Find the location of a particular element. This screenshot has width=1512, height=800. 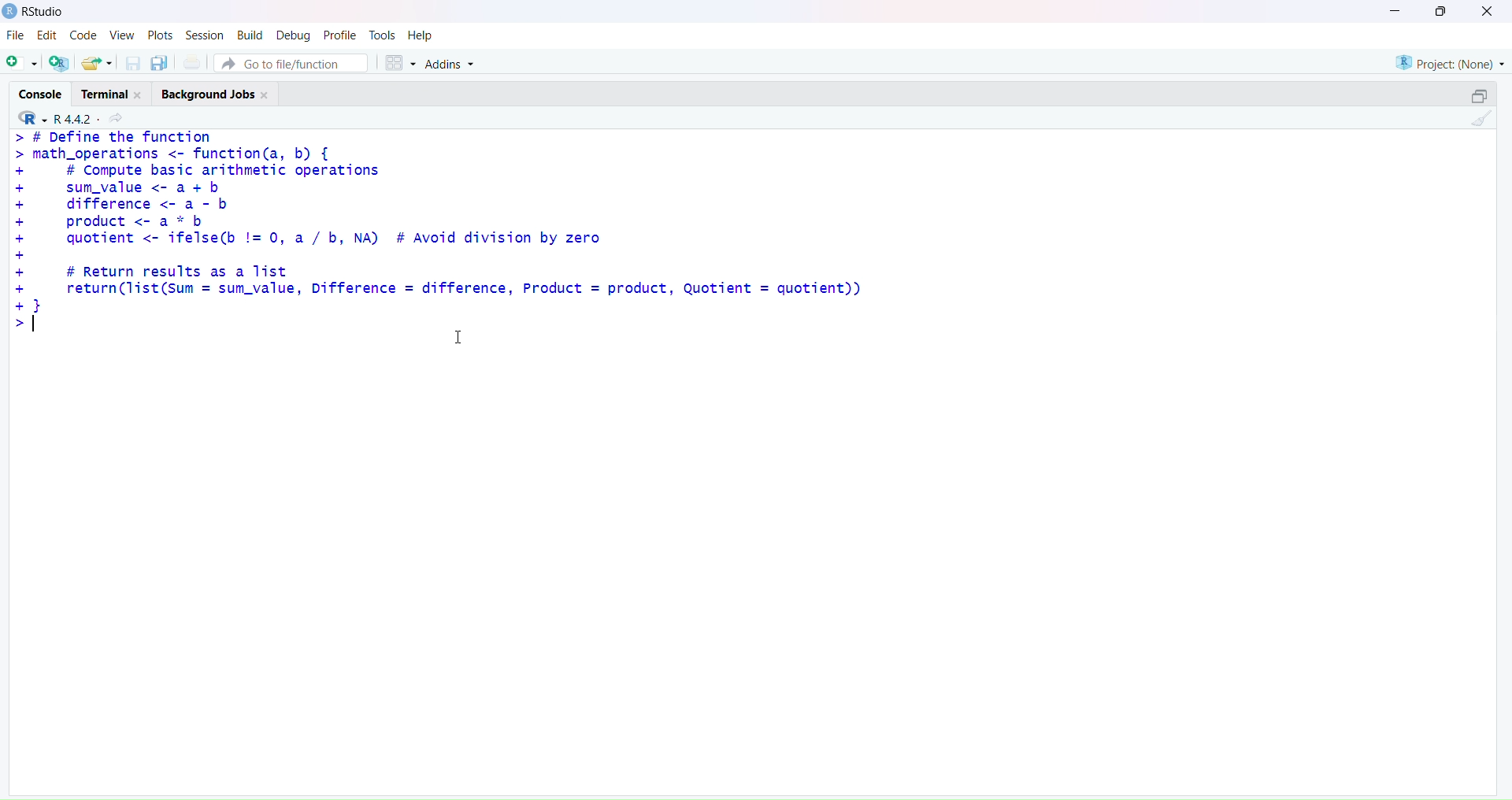

Help is located at coordinates (423, 35).